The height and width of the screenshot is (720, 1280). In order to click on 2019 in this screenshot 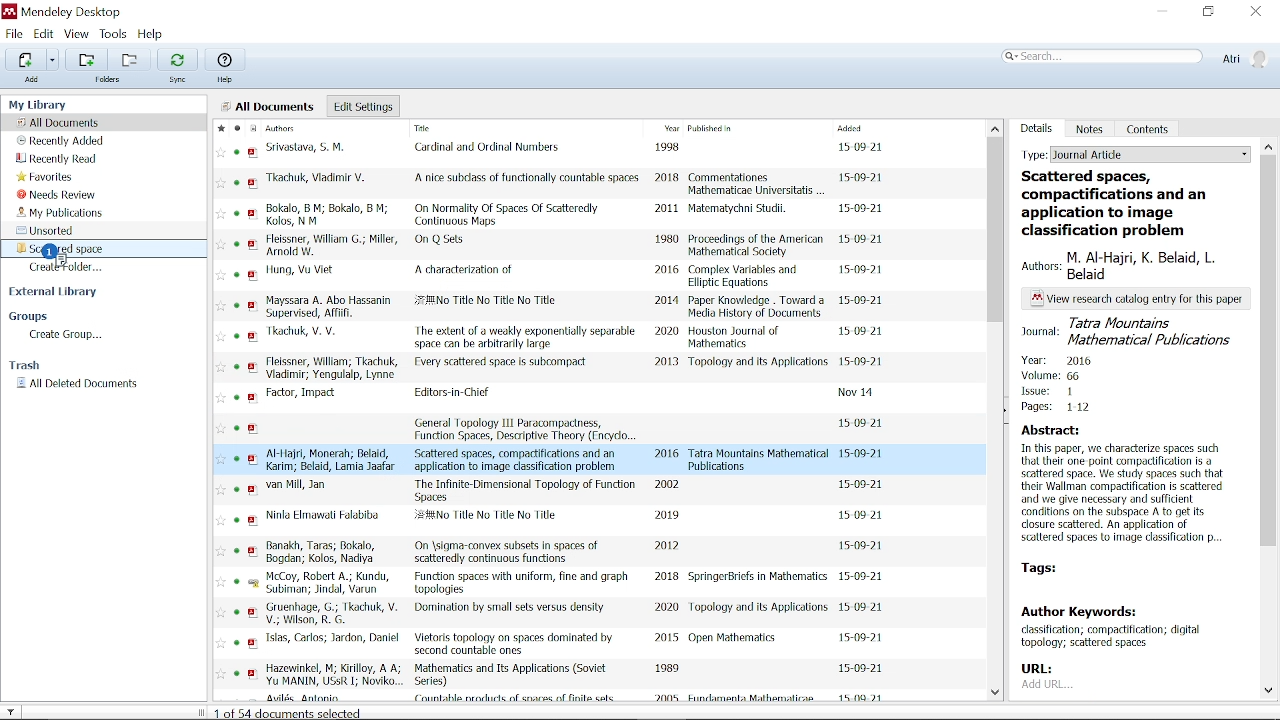, I will do `click(666, 514)`.